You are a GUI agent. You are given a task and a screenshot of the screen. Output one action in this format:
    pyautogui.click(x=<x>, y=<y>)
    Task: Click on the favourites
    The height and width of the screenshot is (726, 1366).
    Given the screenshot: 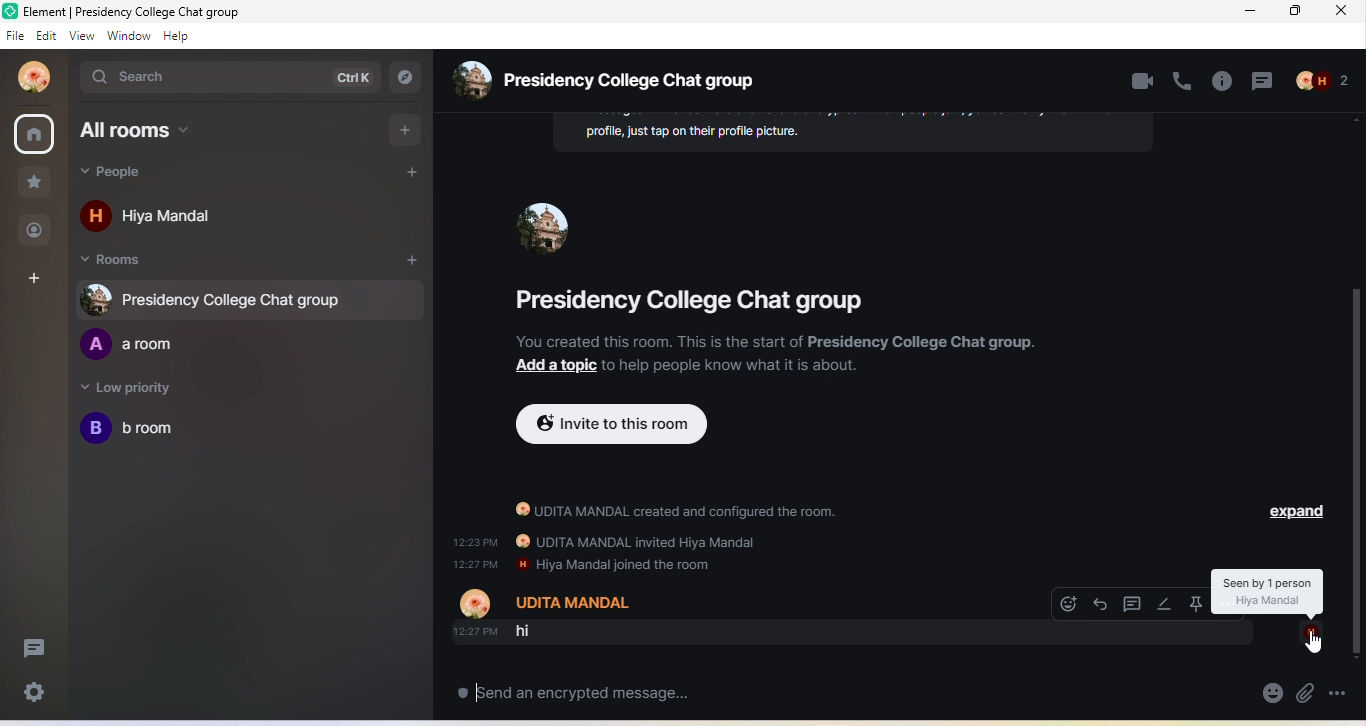 What is the action you would take?
    pyautogui.click(x=33, y=184)
    